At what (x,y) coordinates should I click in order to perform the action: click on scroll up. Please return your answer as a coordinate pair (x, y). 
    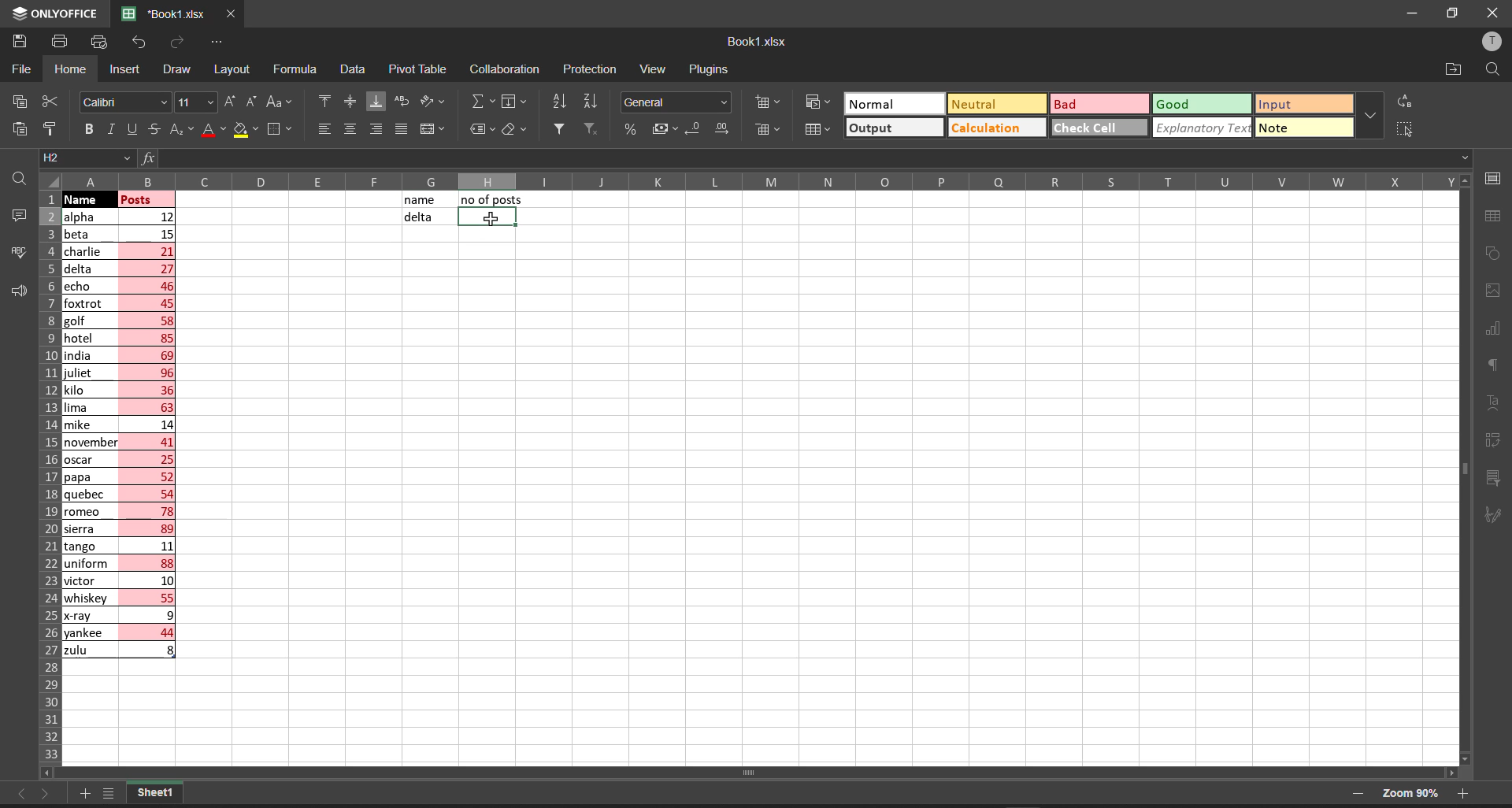
    Looking at the image, I should click on (1461, 180).